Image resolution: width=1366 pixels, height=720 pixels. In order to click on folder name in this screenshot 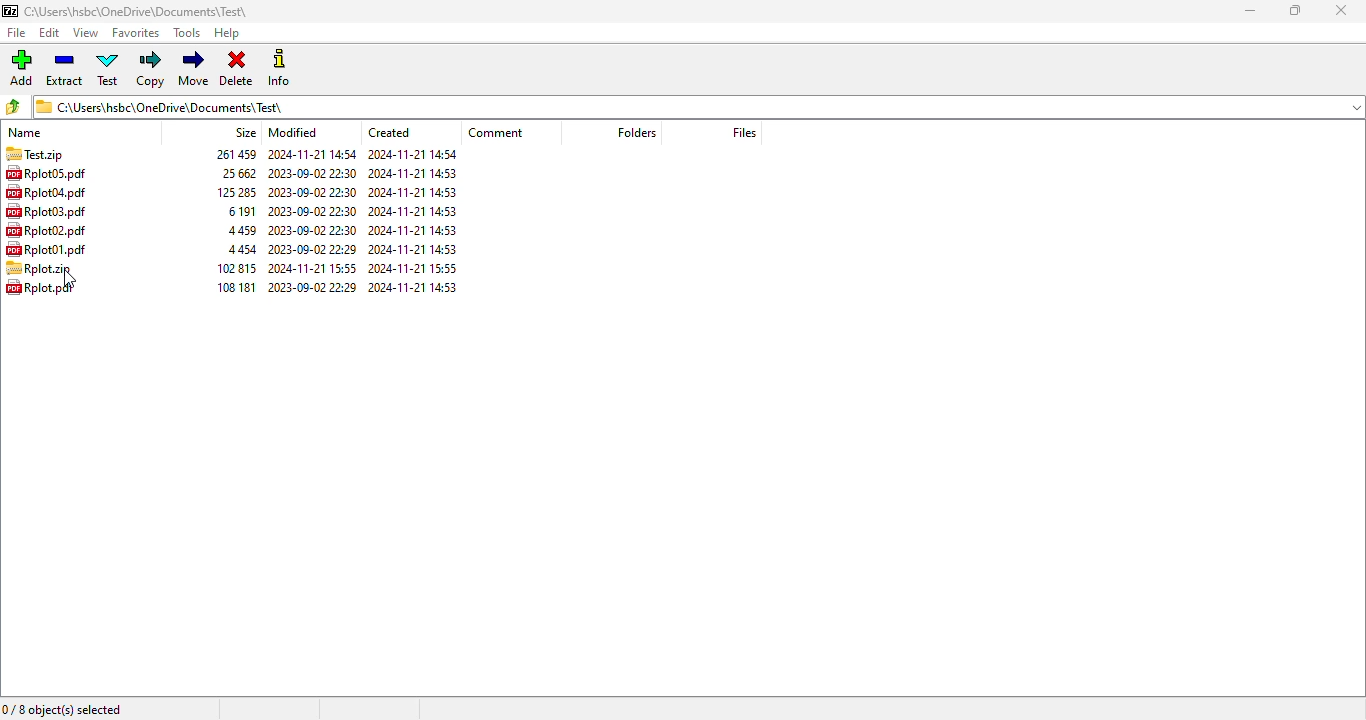, I will do `click(139, 11)`.